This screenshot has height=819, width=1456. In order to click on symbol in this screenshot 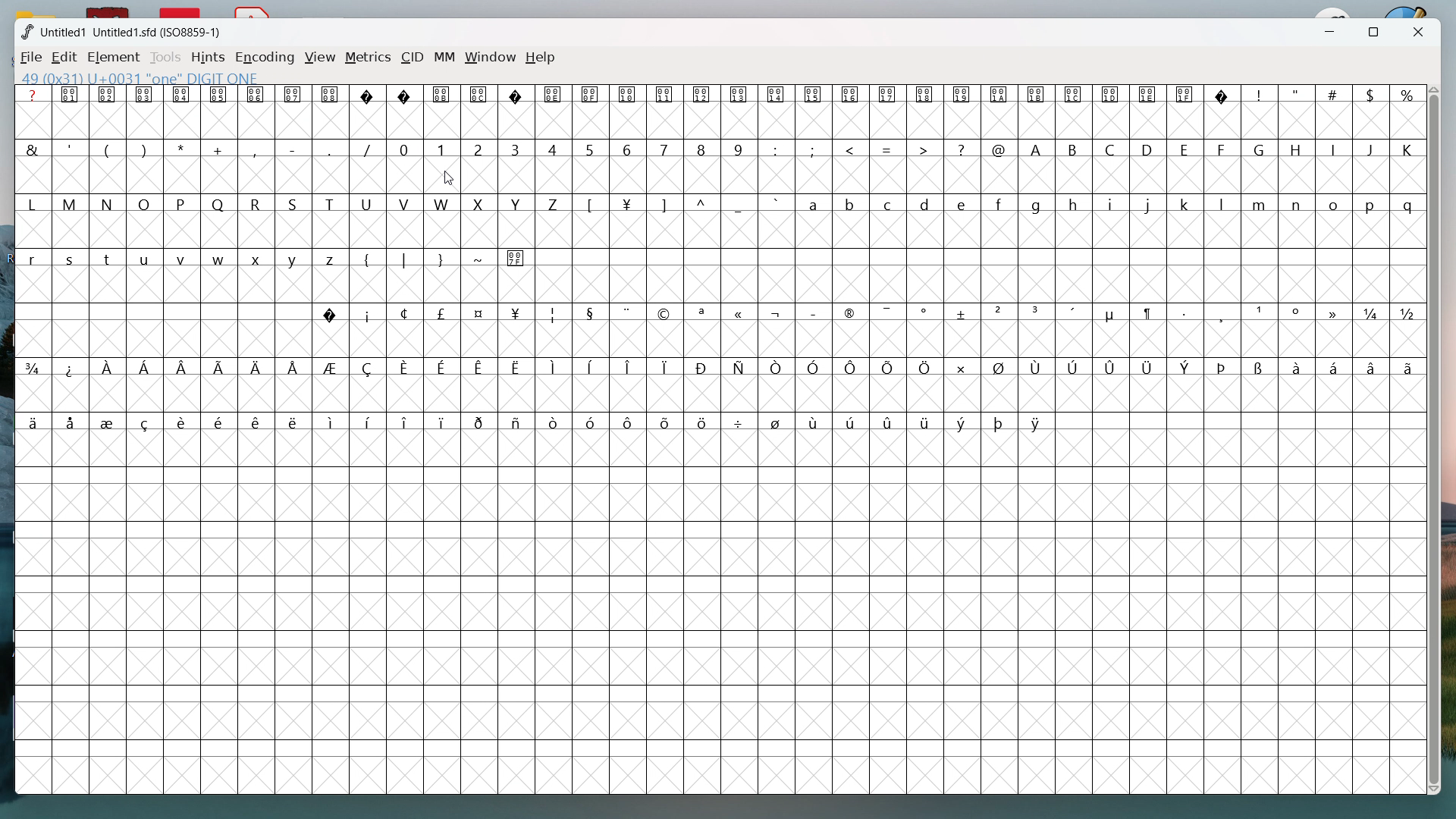, I will do `click(331, 421)`.